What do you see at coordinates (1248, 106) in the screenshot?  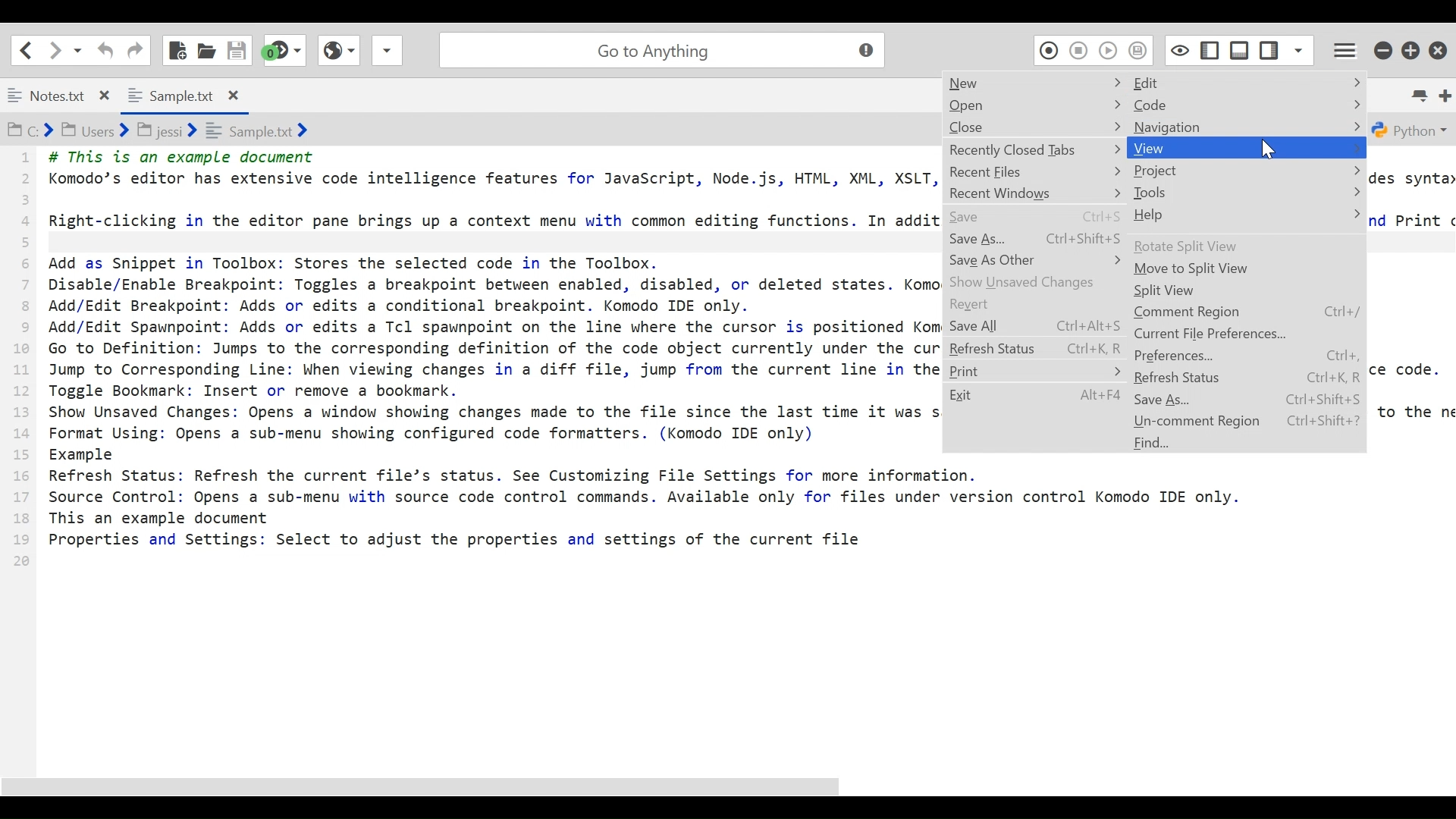 I see `Code` at bounding box center [1248, 106].